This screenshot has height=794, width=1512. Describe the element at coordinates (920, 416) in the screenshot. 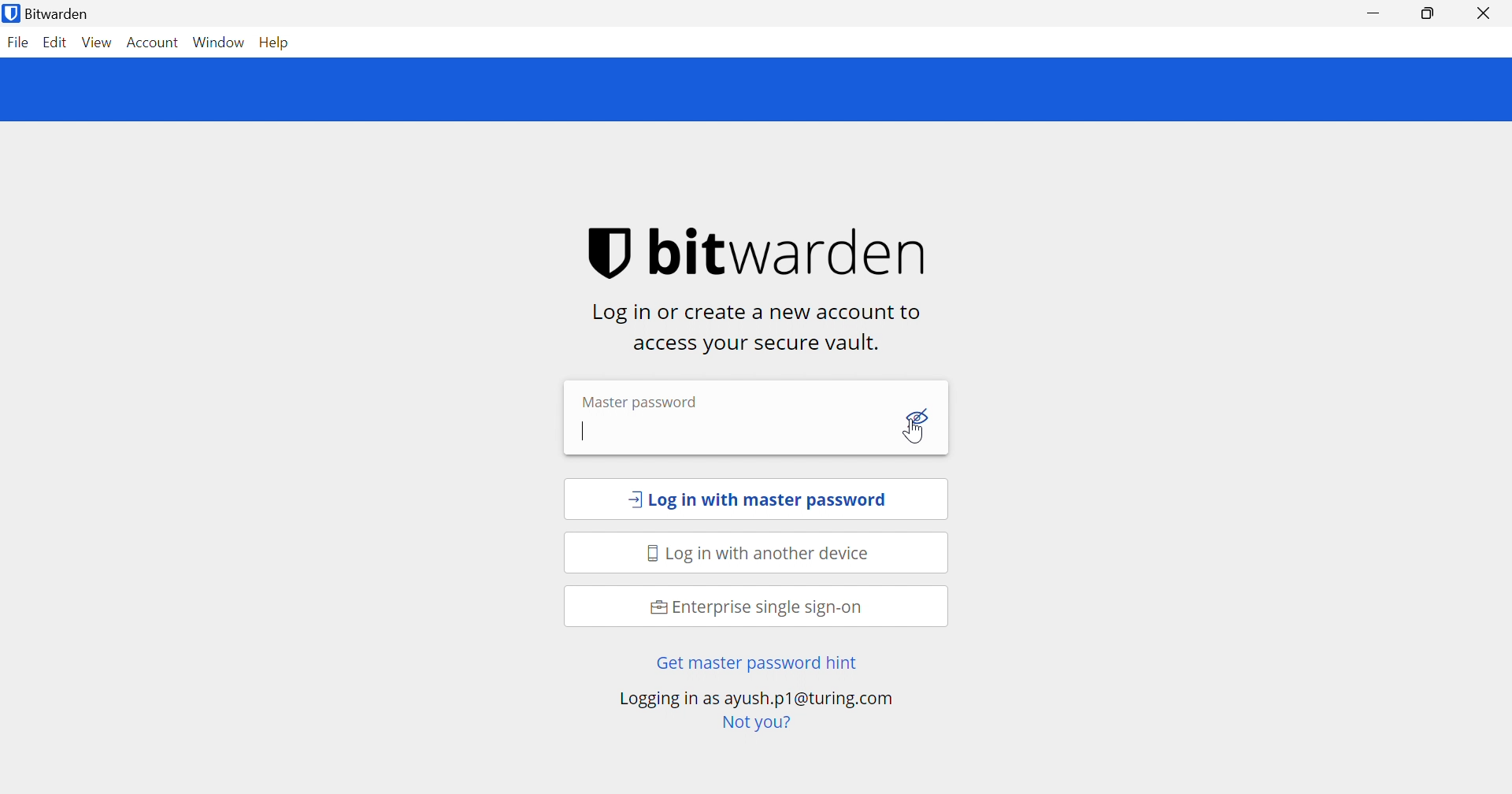

I see `Toggle Visibility` at that location.